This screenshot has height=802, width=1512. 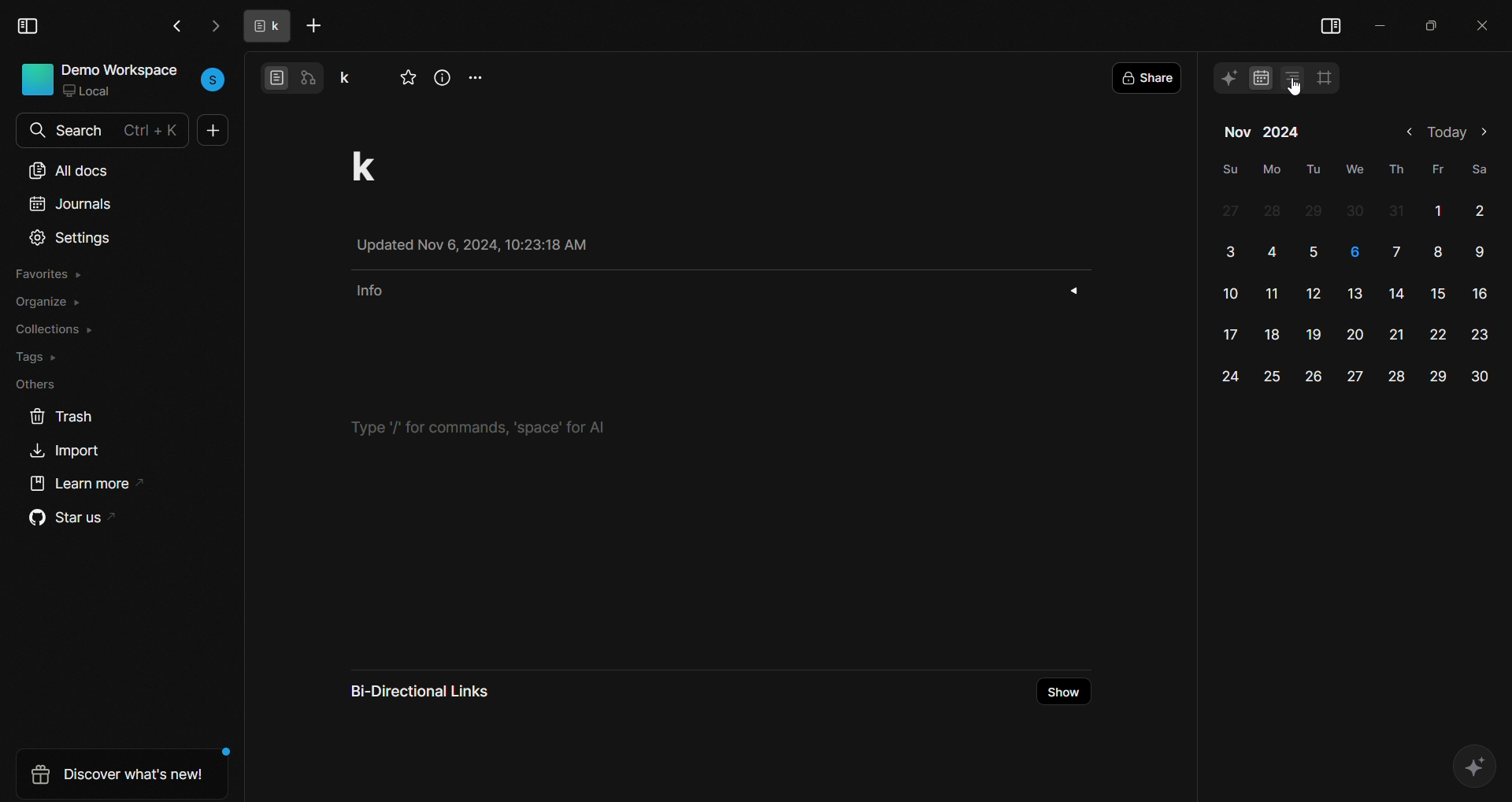 What do you see at coordinates (714, 290) in the screenshot?
I see `info` at bounding box center [714, 290].